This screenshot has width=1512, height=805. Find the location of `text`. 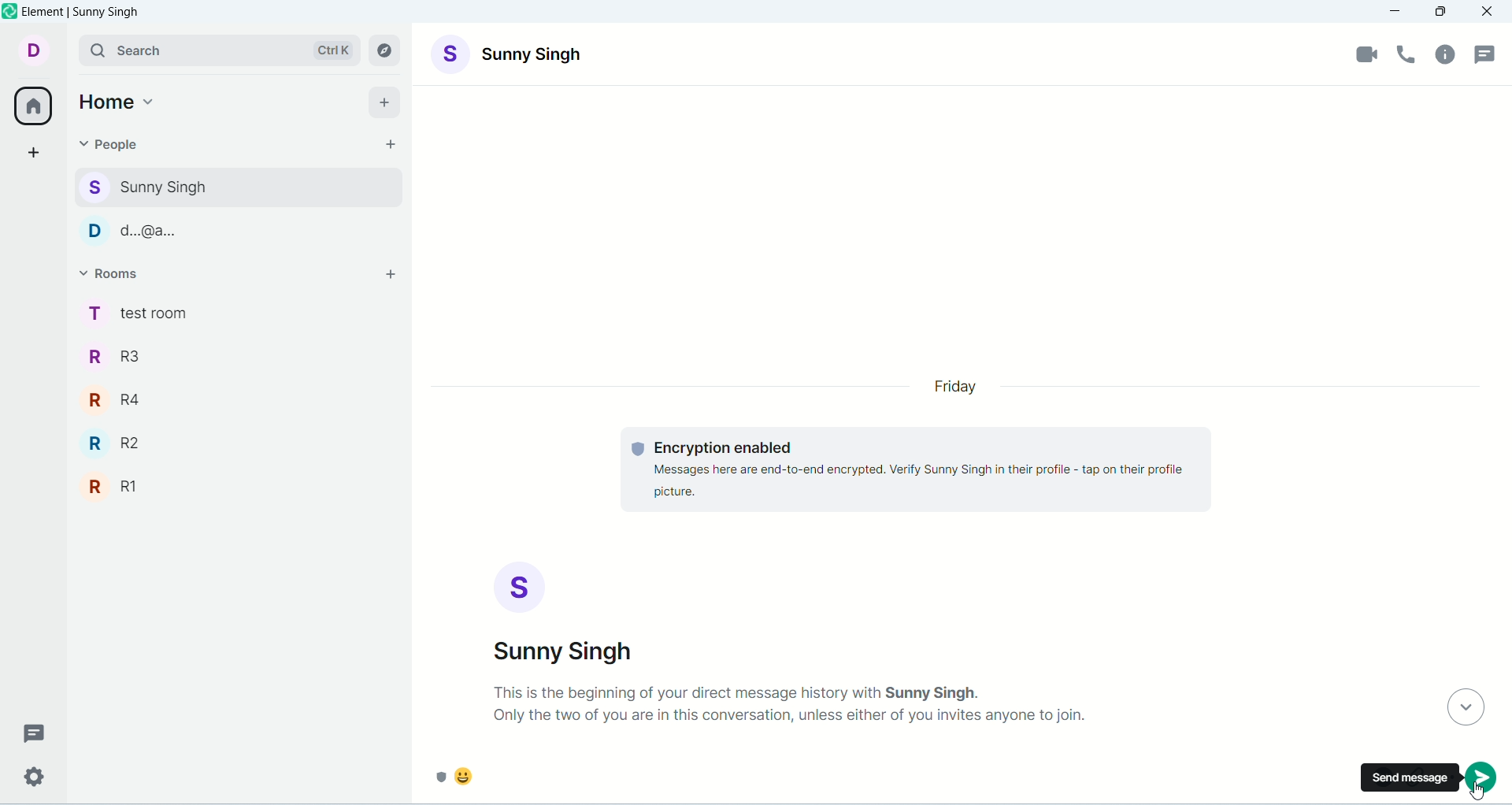

text is located at coordinates (791, 704).